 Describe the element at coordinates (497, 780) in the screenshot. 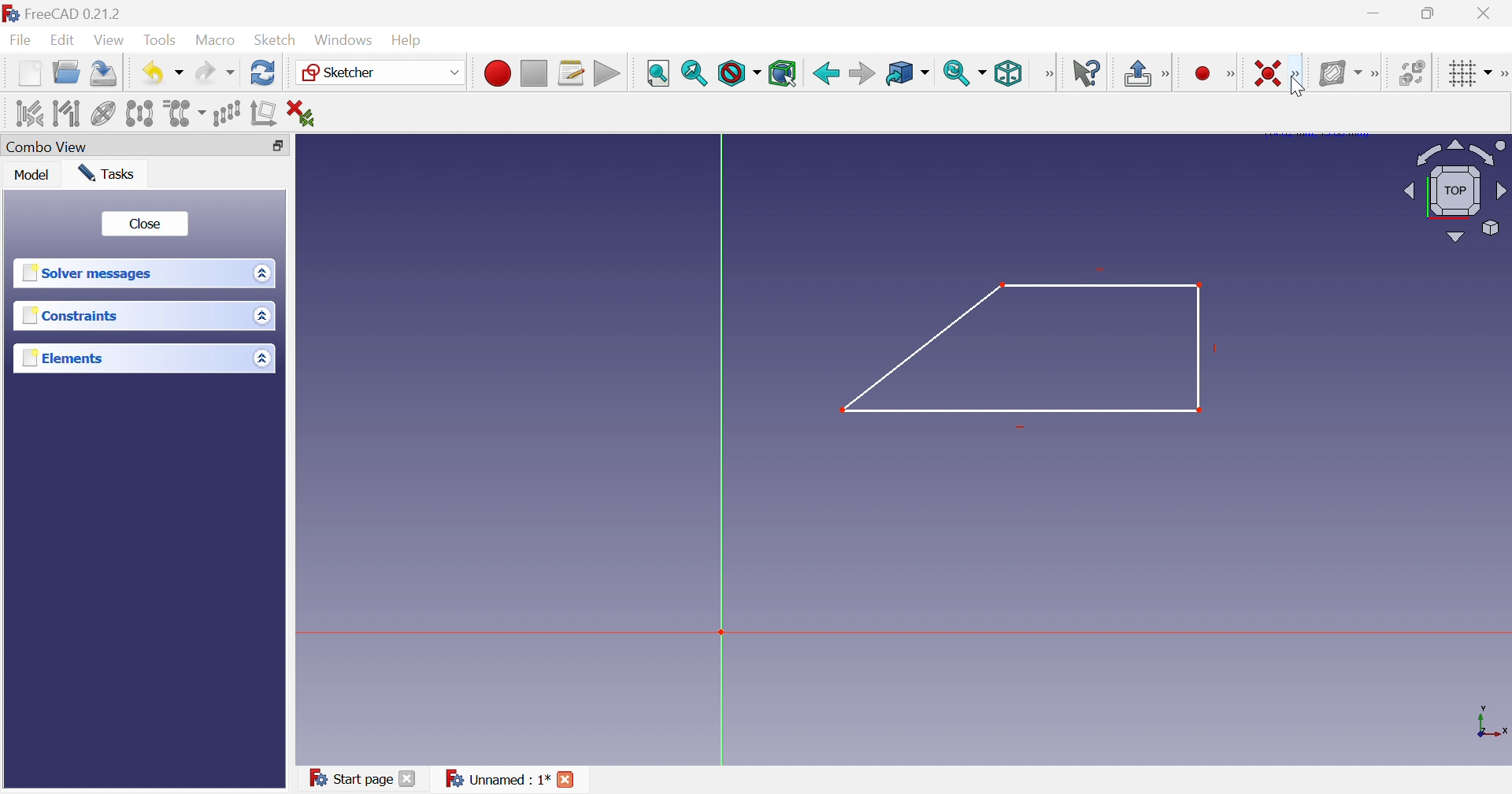

I see `Unnamed : 1*` at that location.